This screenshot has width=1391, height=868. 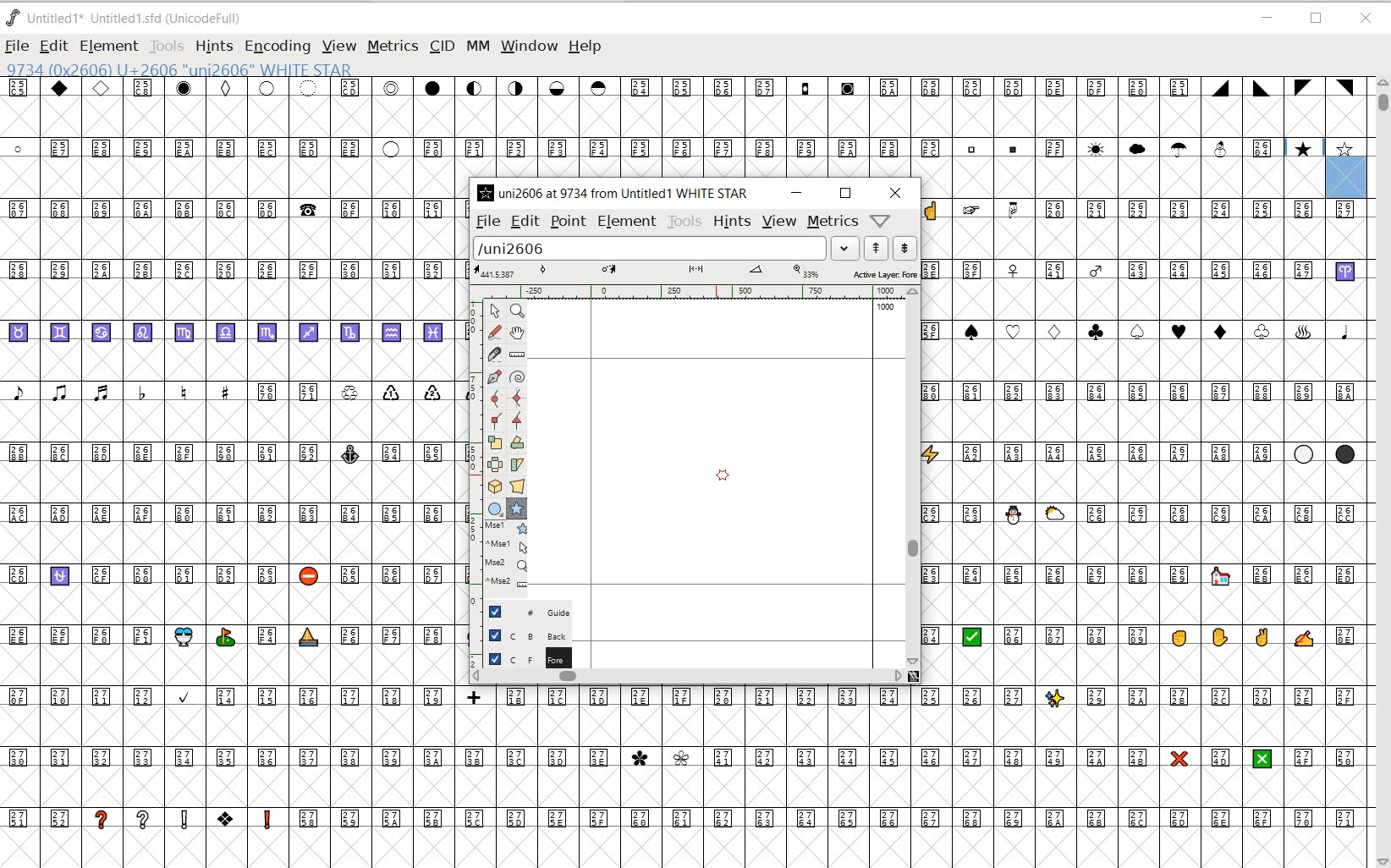 What do you see at coordinates (796, 193) in the screenshot?
I see `MINIMIZE` at bounding box center [796, 193].